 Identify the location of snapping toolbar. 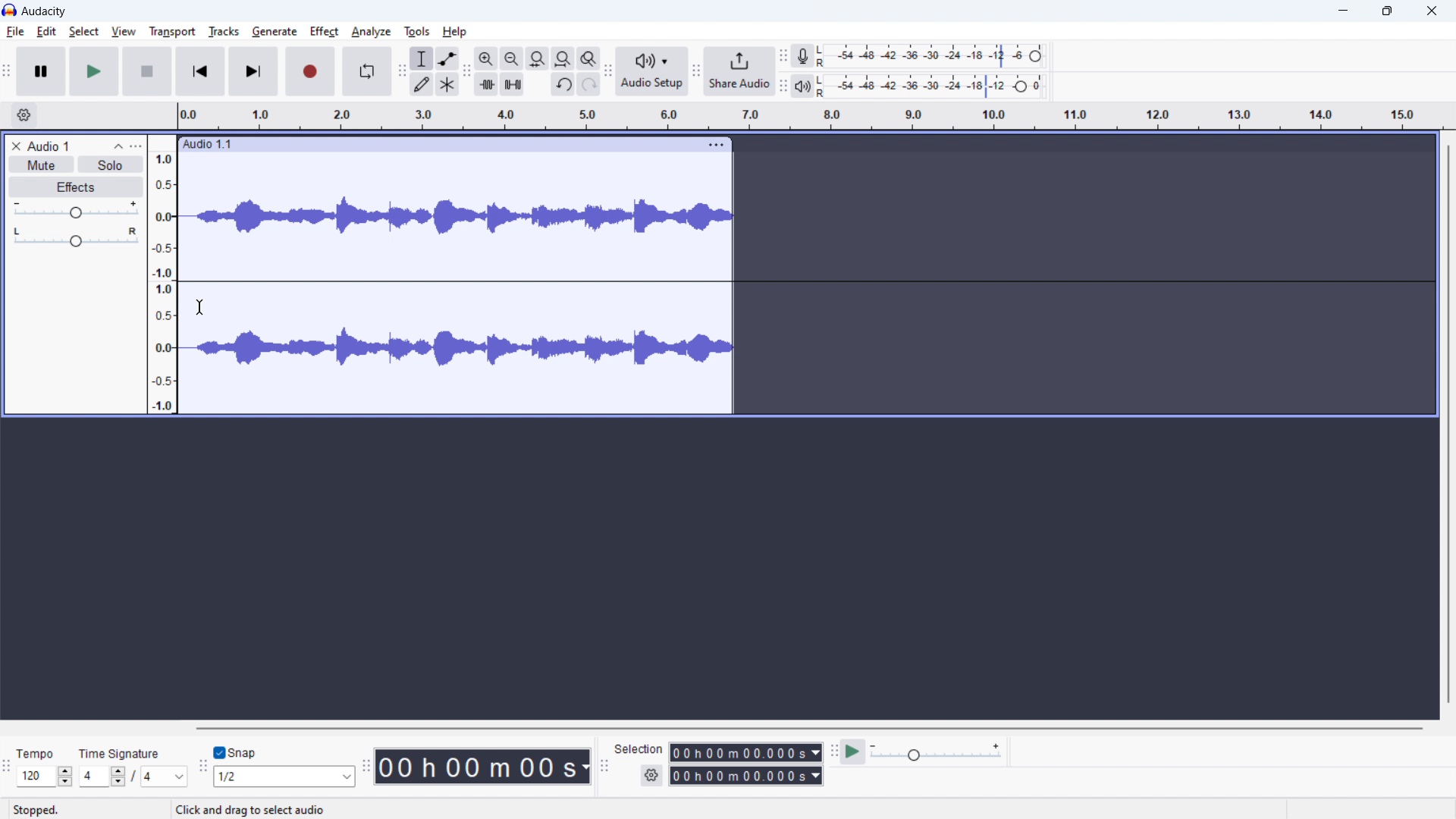
(204, 767).